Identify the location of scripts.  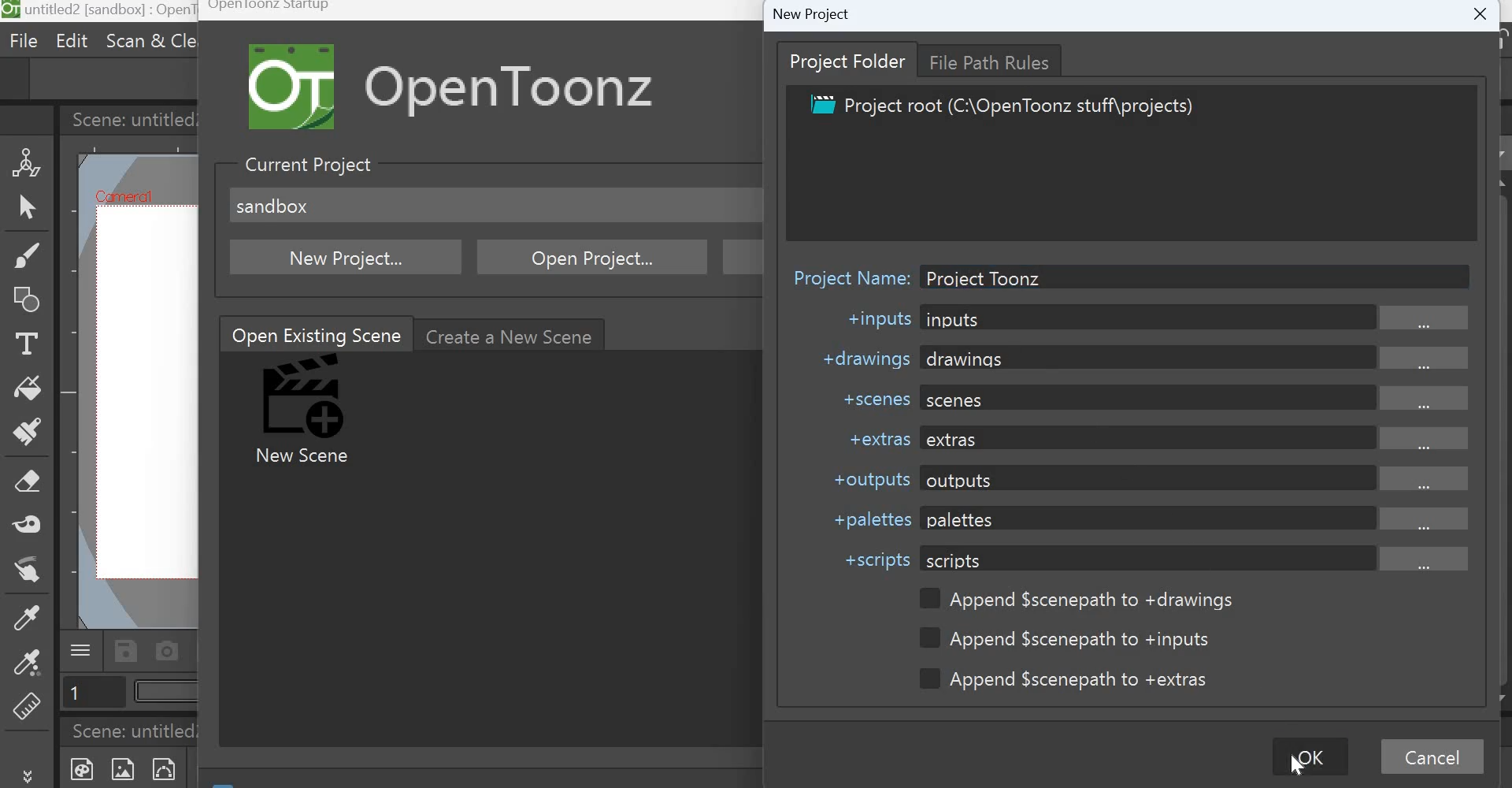
(1195, 558).